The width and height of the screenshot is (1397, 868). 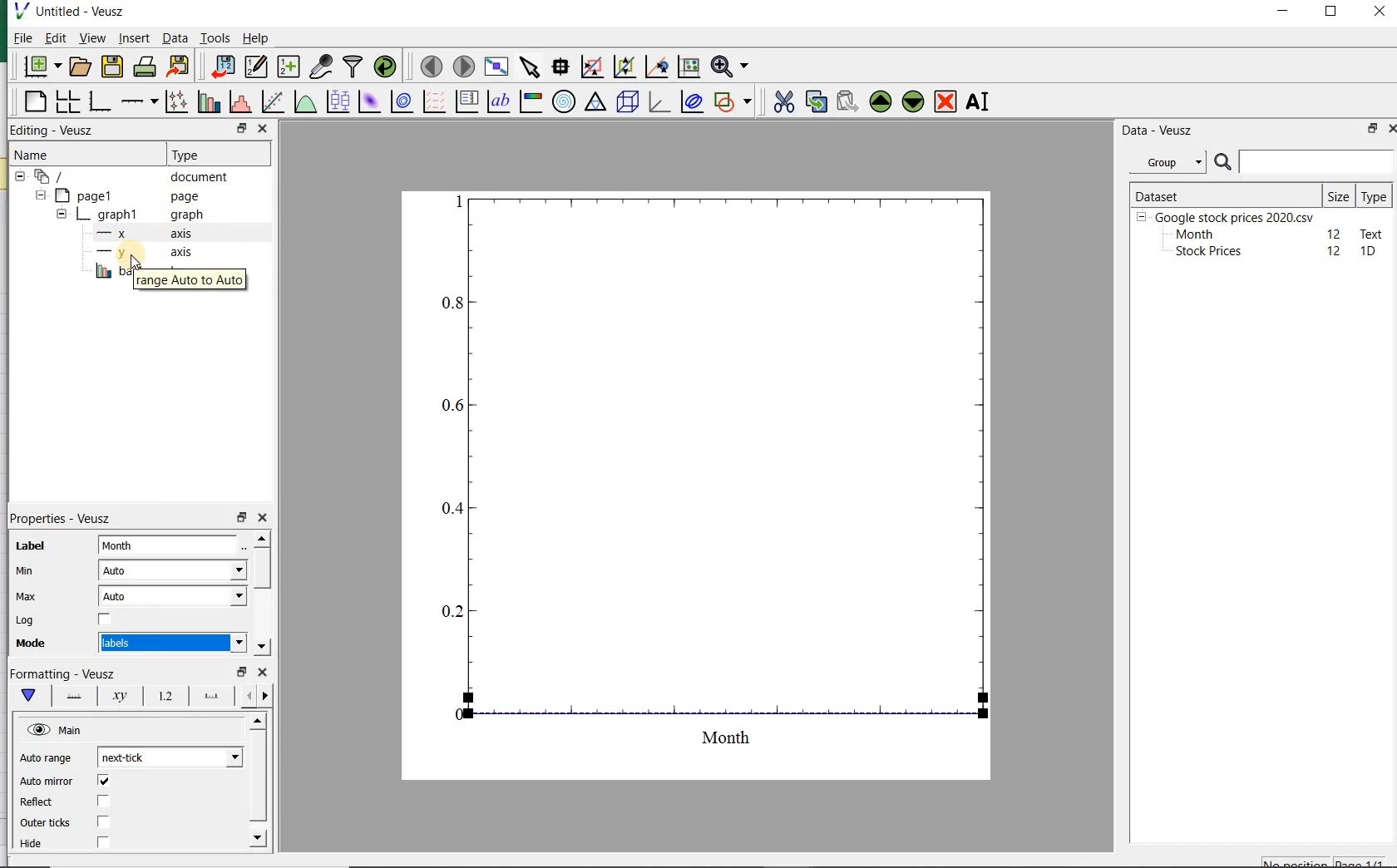 What do you see at coordinates (141, 253) in the screenshot?
I see `y-axis` at bounding box center [141, 253].